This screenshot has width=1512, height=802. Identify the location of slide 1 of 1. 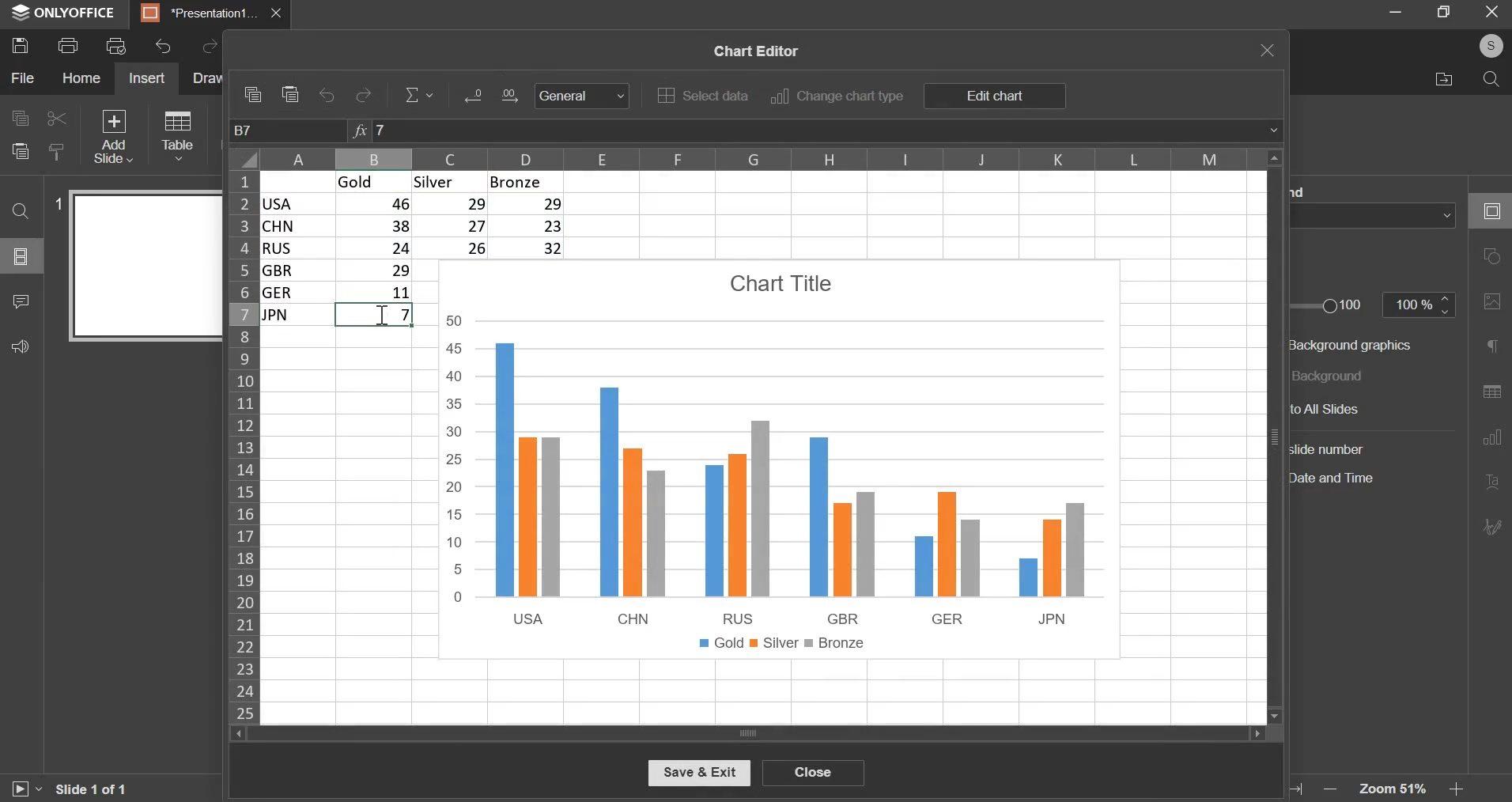
(90, 791).